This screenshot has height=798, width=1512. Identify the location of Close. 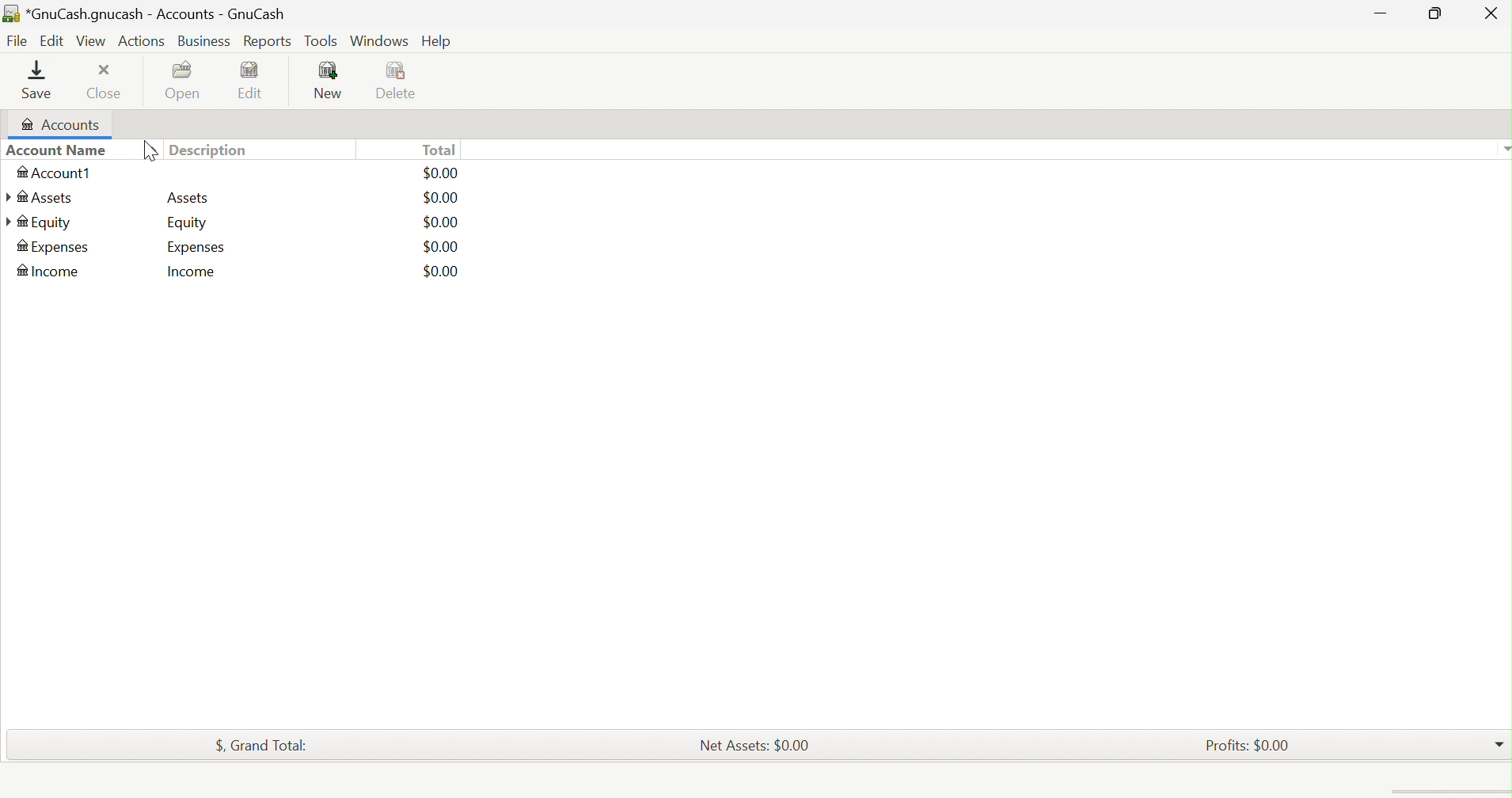
(108, 82).